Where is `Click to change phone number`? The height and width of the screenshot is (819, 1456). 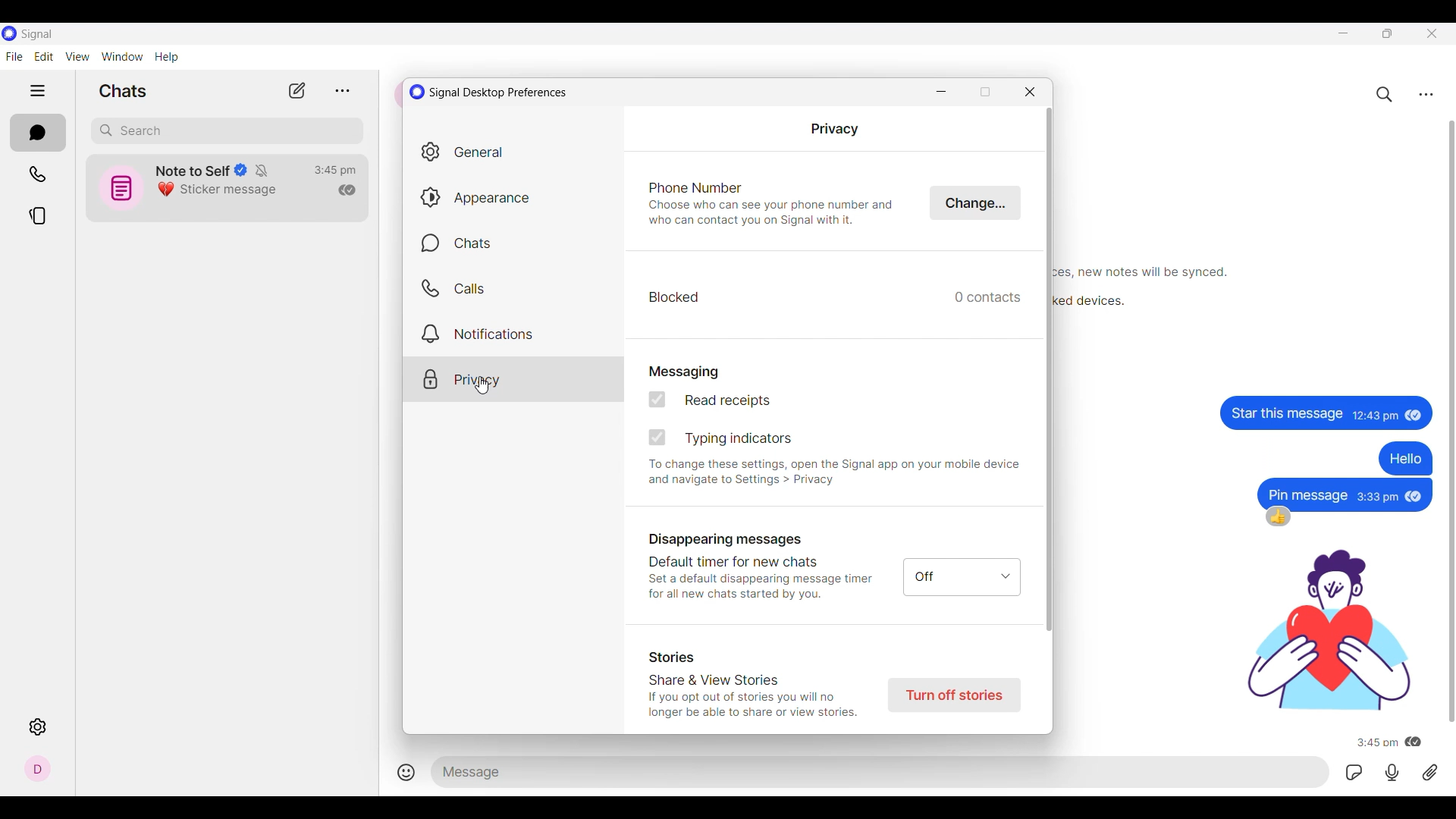
Click to change phone number is located at coordinates (976, 203).